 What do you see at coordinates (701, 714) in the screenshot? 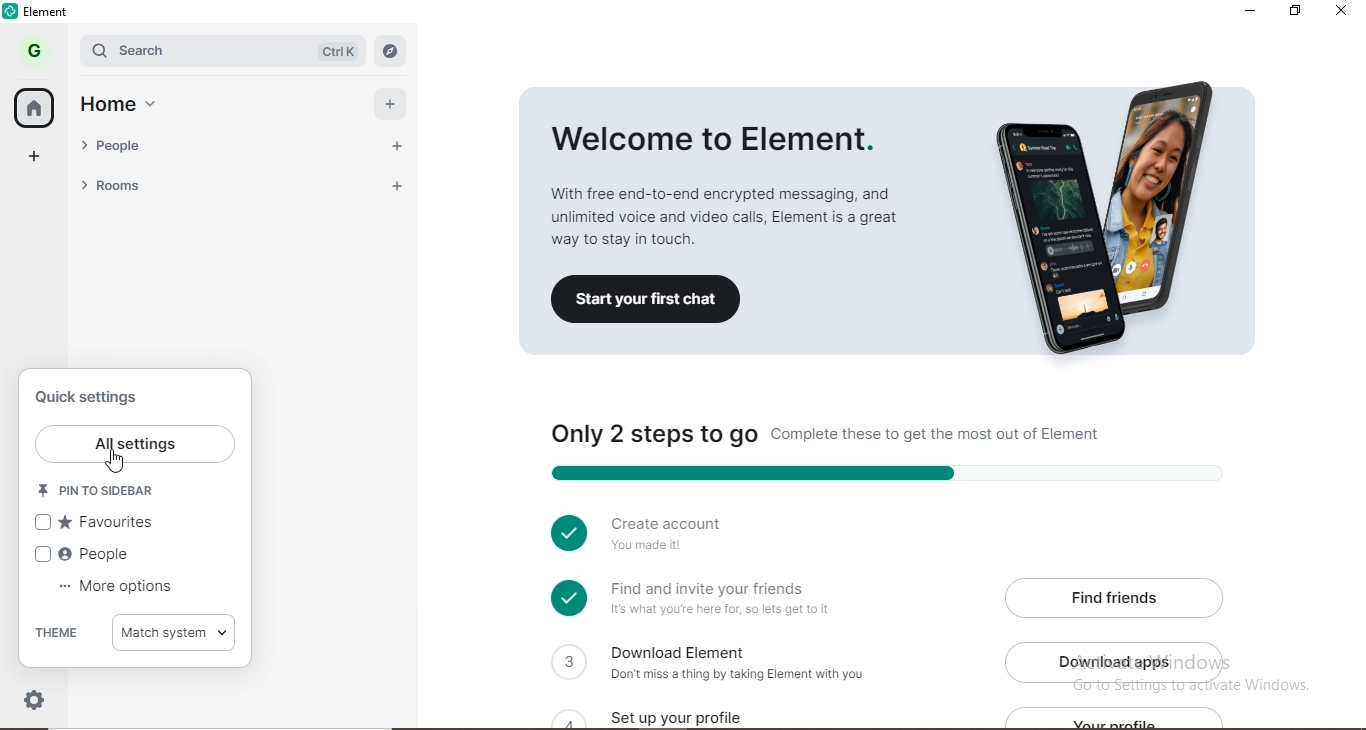
I see `set up your profile` at bounding box center [701, 714].